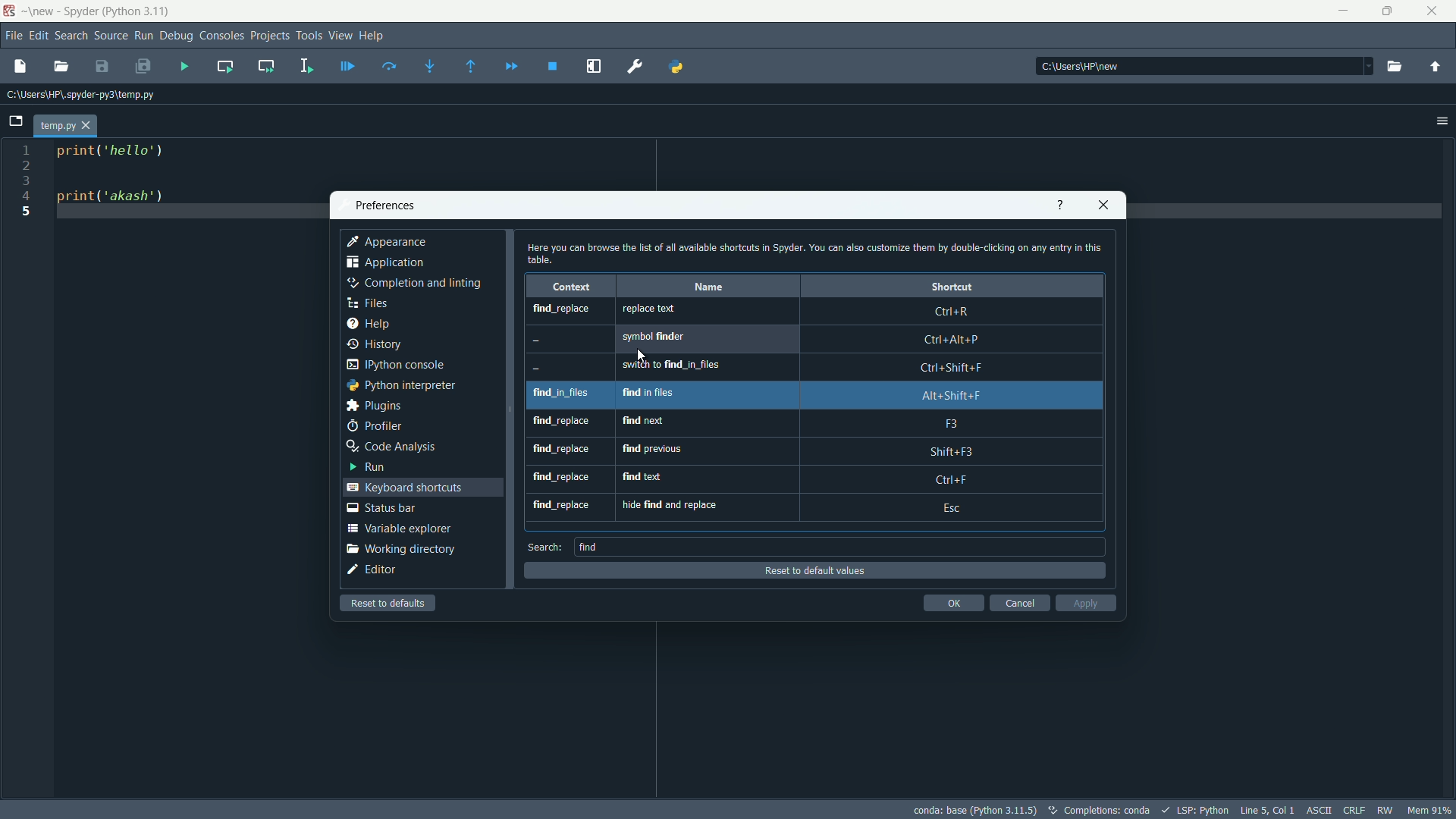 The width and height of the screenshot is (1456, 819). I want to click on find_replace, hide find and replace, Esc, so click(817, 507).